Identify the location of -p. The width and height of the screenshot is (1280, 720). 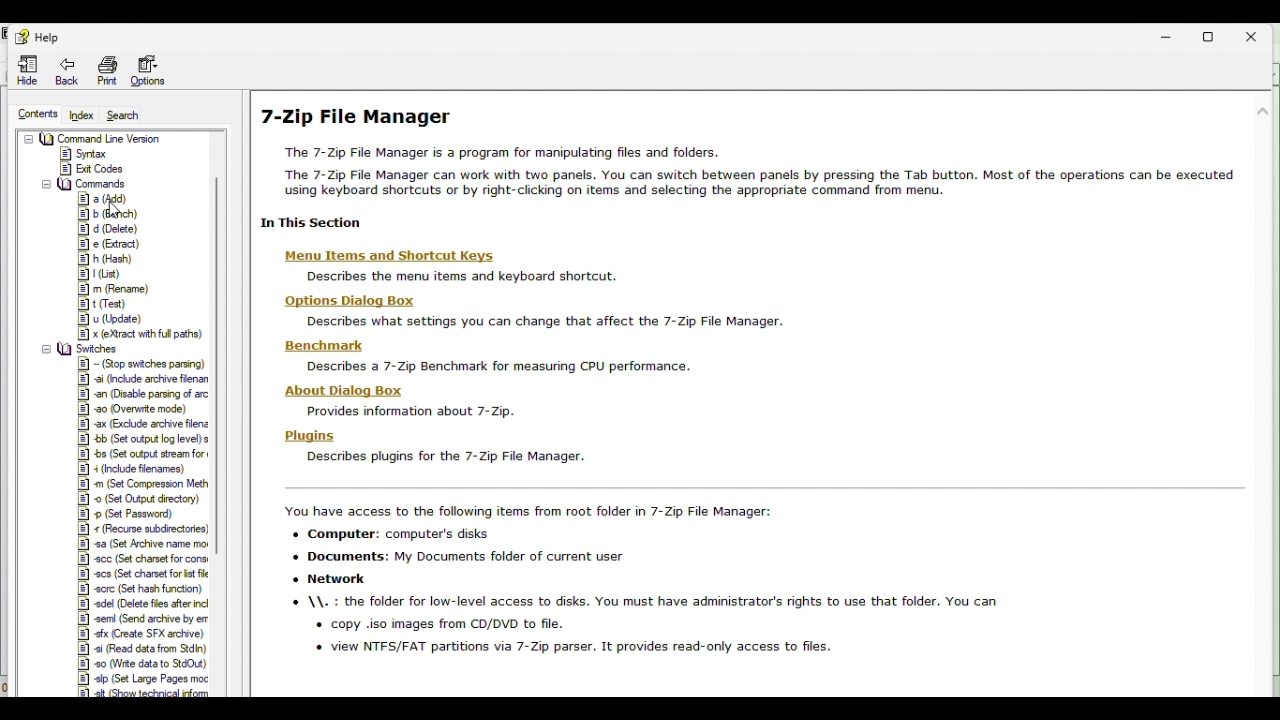
(137, 513).